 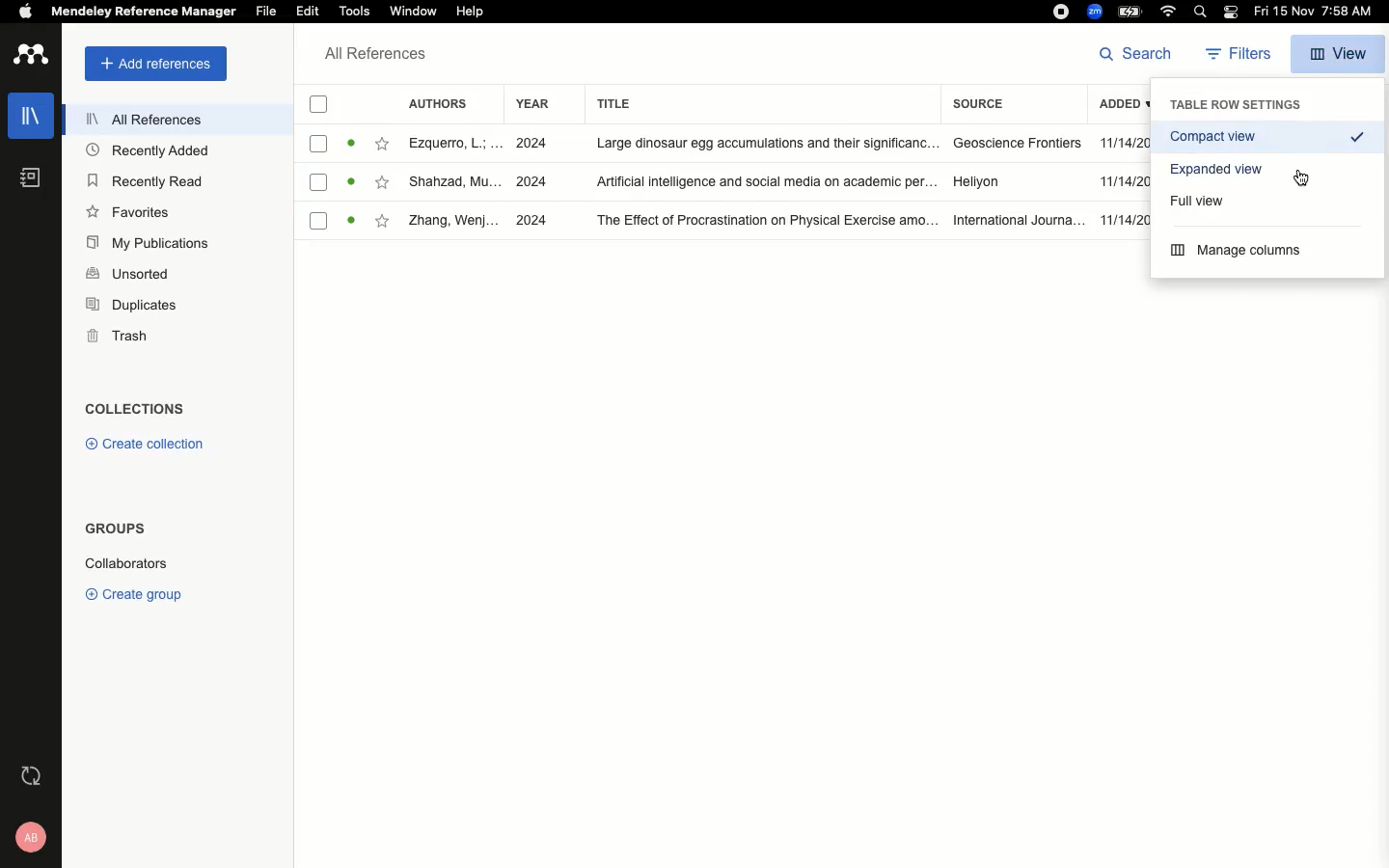 I want to click on Logo, so click(x=30, y=56).